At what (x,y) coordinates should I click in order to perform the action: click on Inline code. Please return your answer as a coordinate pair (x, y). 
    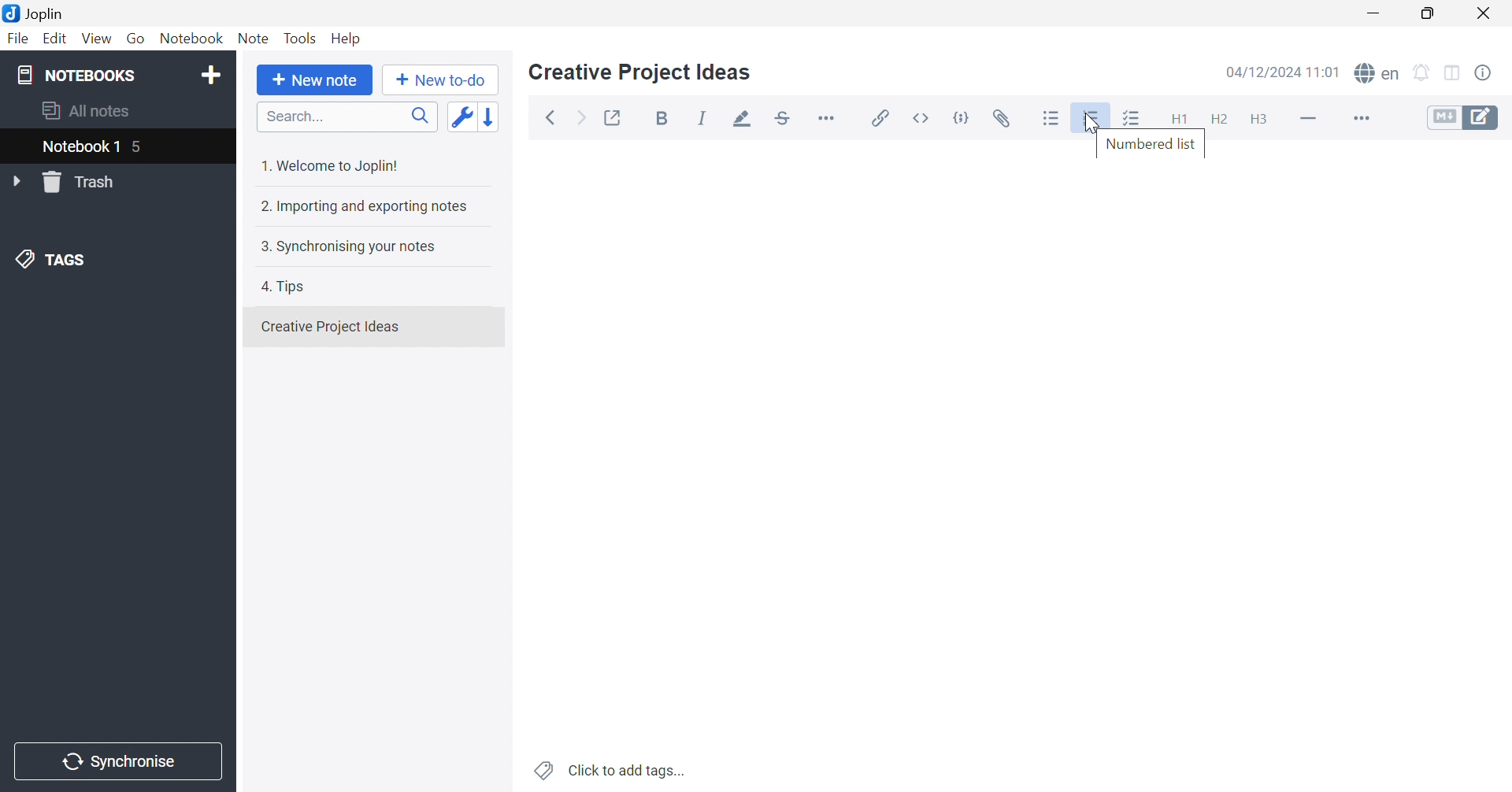
    Looking at the image, I should click on (919, 117).